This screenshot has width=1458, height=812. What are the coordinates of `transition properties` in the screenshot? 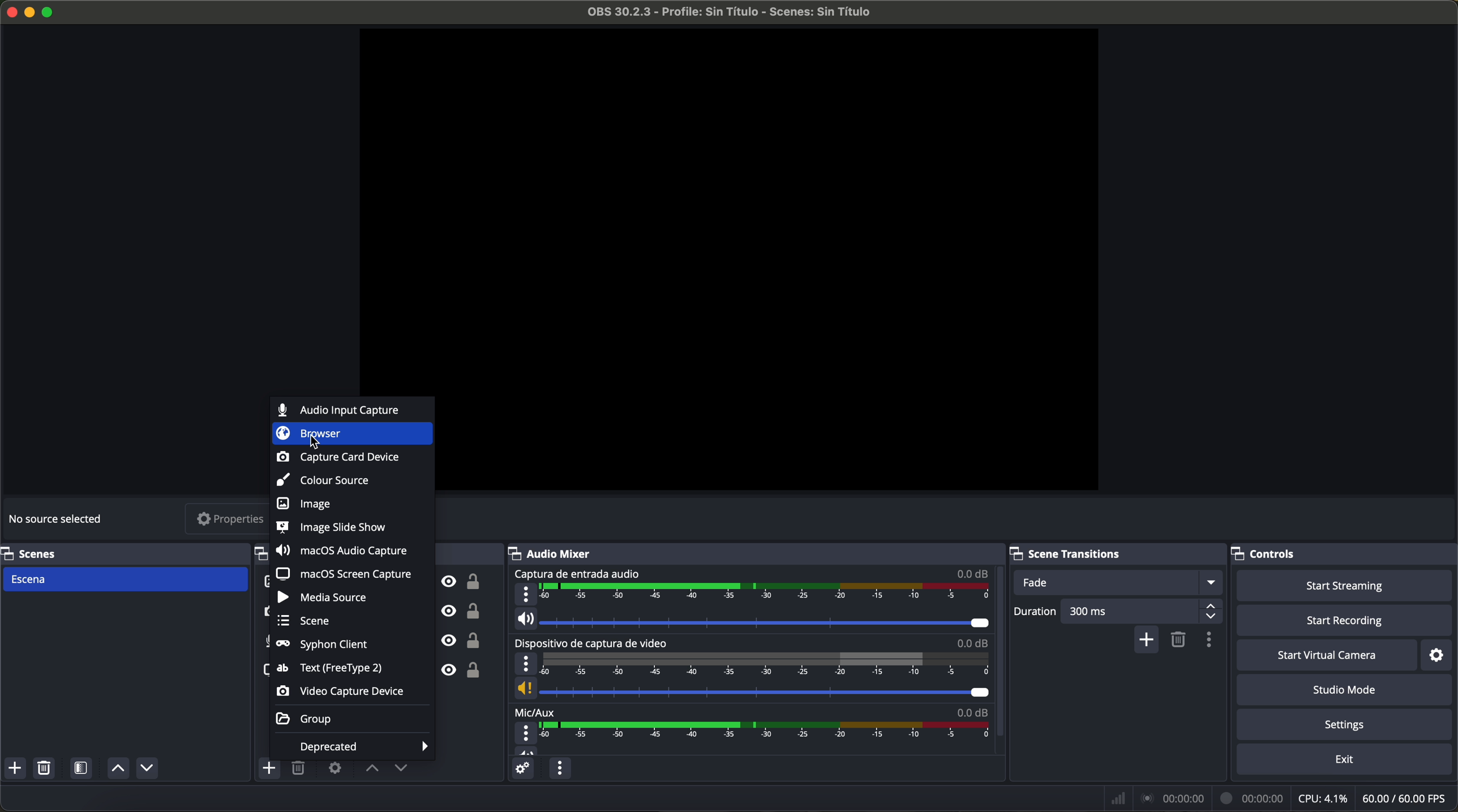 It's located at (1211, 641).